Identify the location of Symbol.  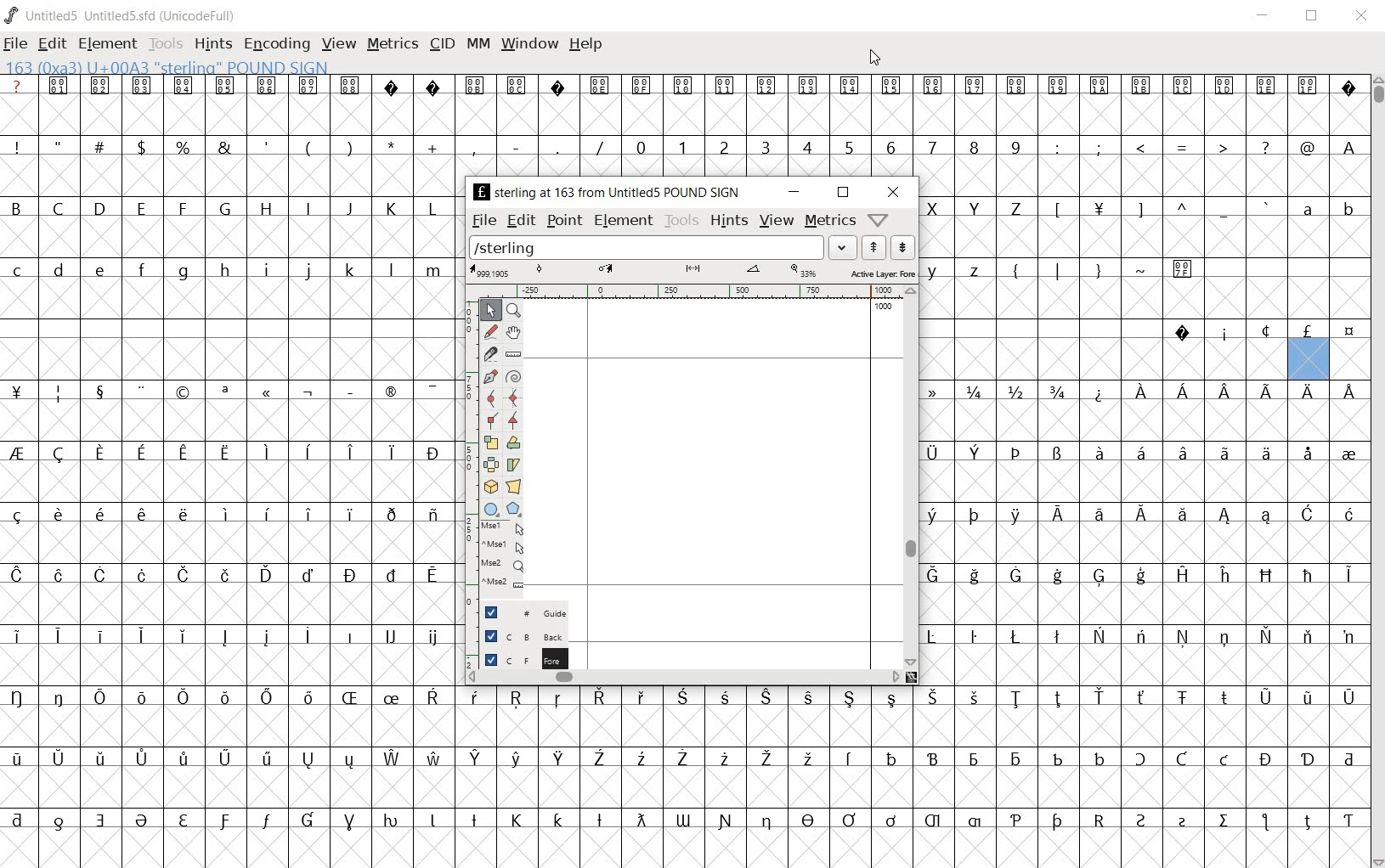
(56, 516).